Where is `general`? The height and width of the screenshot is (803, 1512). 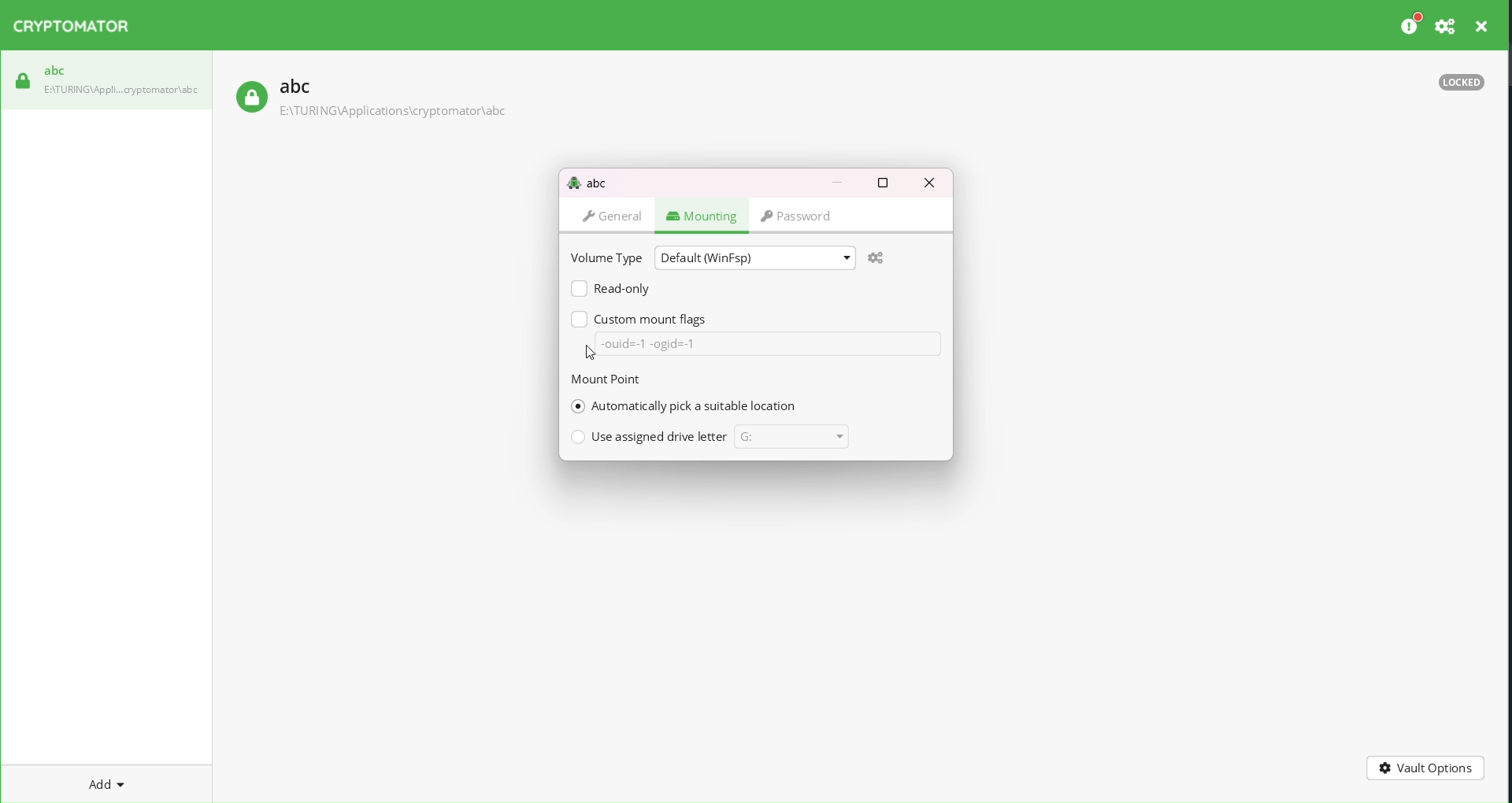
general is located at coordinates (613, 216).